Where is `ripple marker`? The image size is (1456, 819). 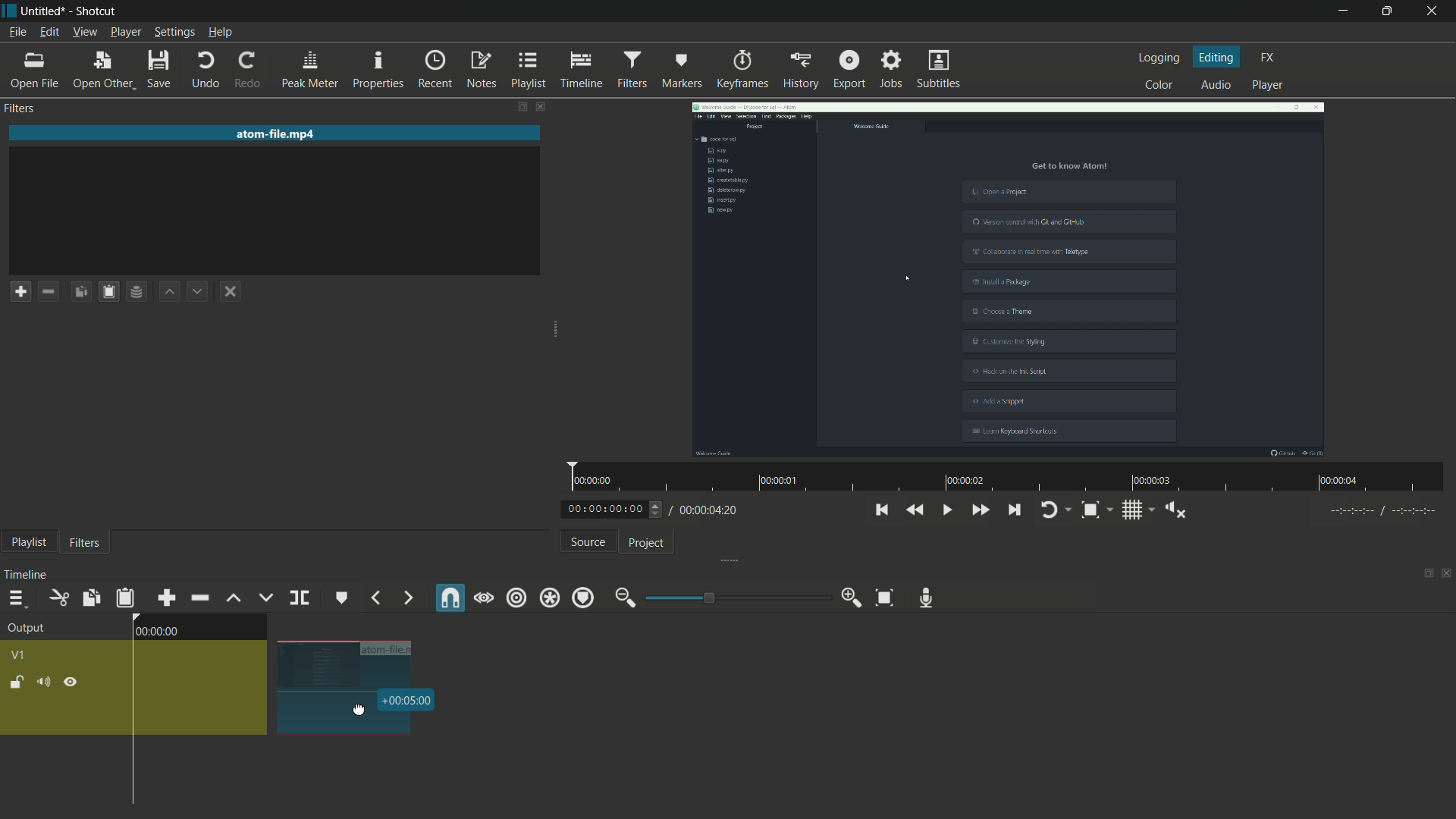
ripple marker is located at coordinates (583, 598).